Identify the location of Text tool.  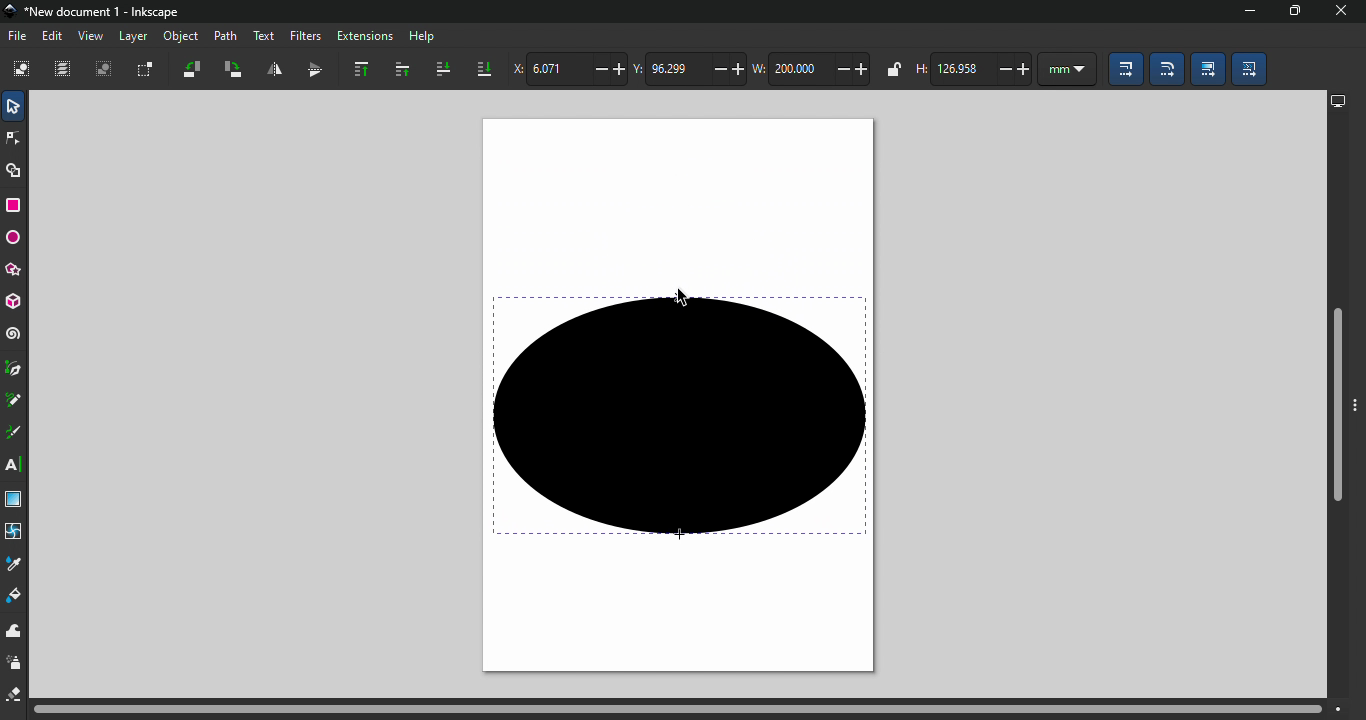
(15, 467).